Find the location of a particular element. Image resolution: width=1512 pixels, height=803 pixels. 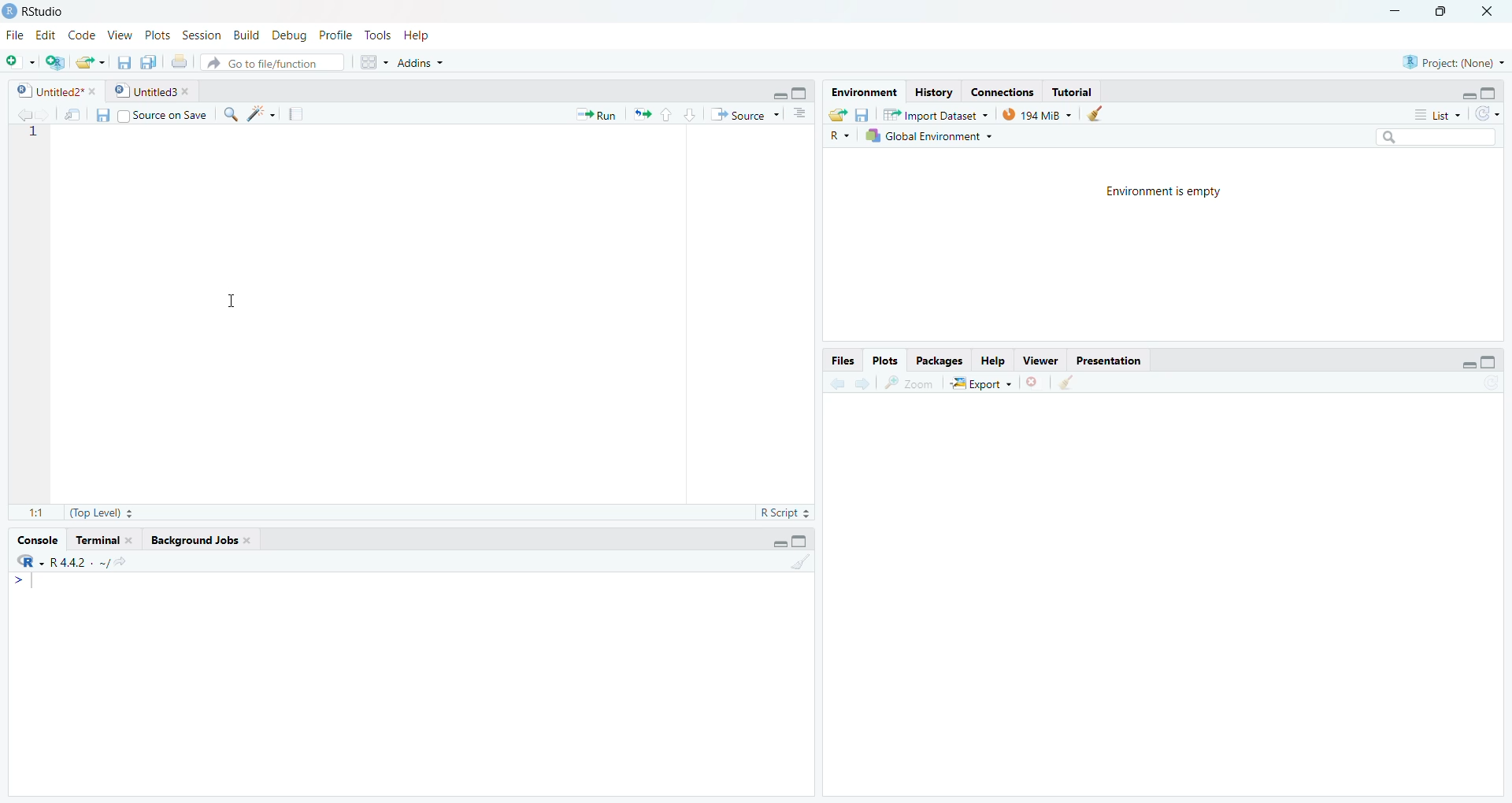

Maximize is located at coordinates (1492, 92).